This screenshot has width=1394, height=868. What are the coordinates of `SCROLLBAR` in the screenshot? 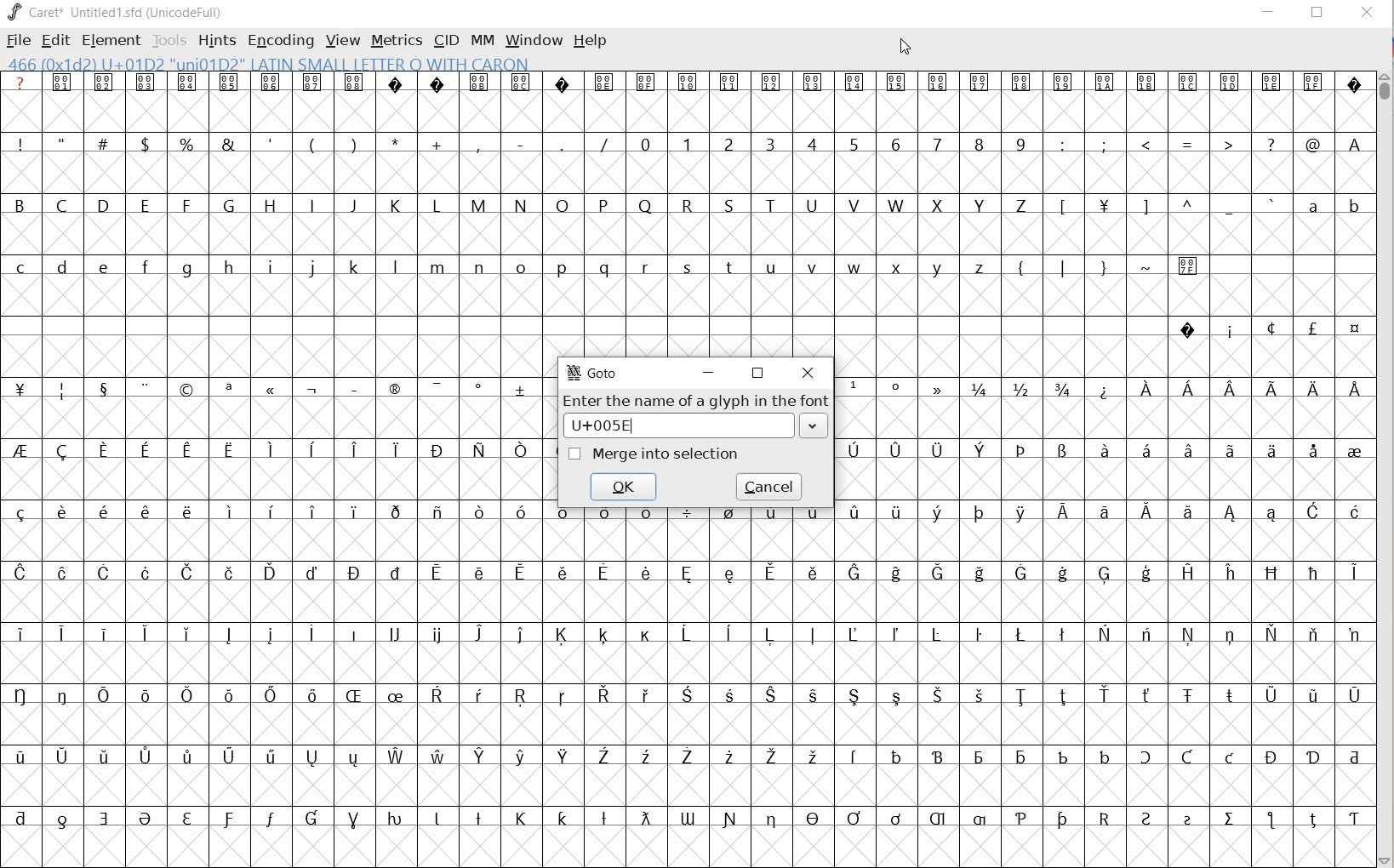 It's located at (1385, 467).